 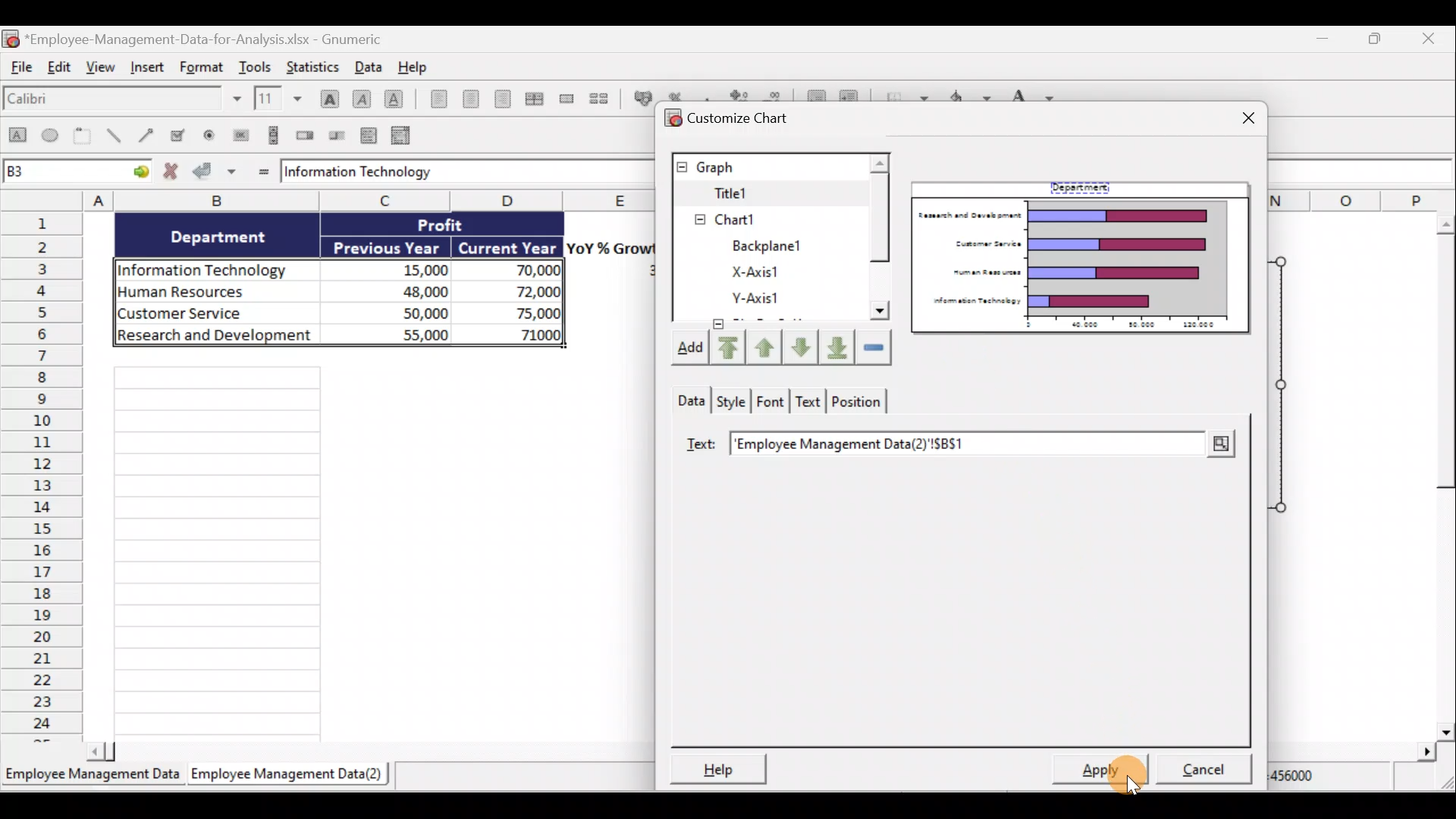 I want to click on Gnumeric logo, so click(x=11, y=38).